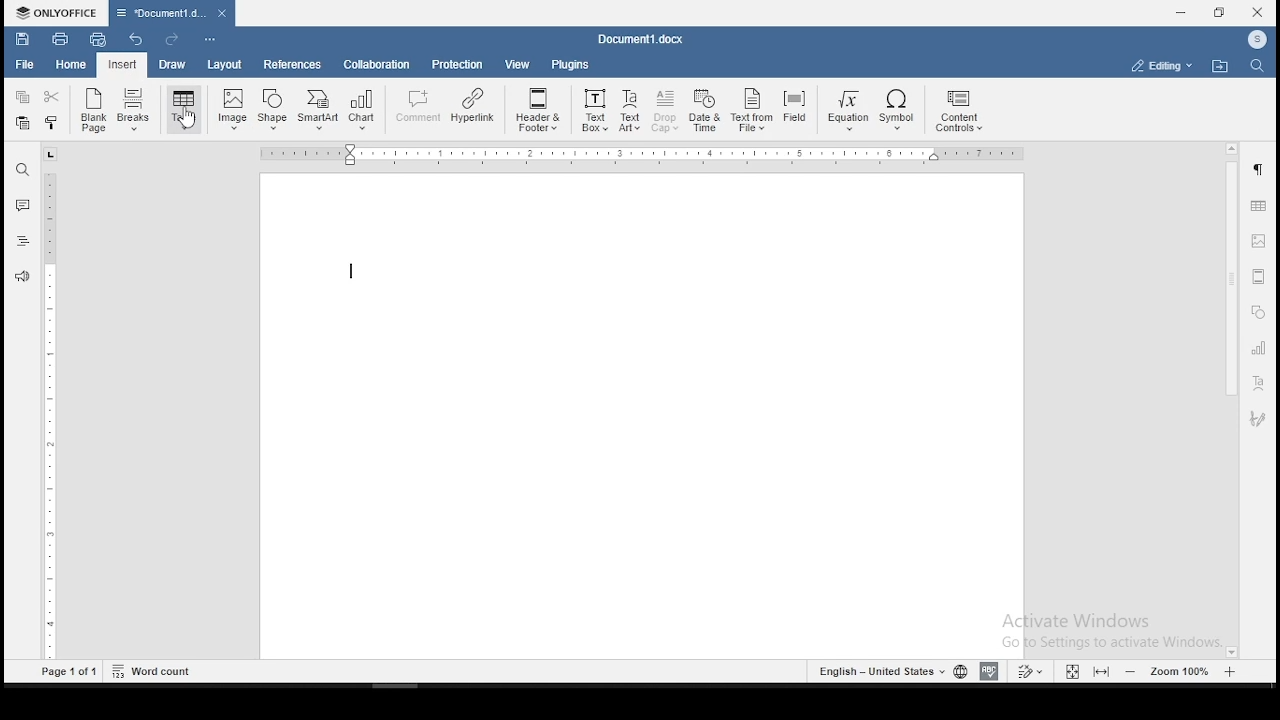 Image resolution: width=1280 pixels, height=720 pixels. I want to click on table settings, so click(1260, 207).